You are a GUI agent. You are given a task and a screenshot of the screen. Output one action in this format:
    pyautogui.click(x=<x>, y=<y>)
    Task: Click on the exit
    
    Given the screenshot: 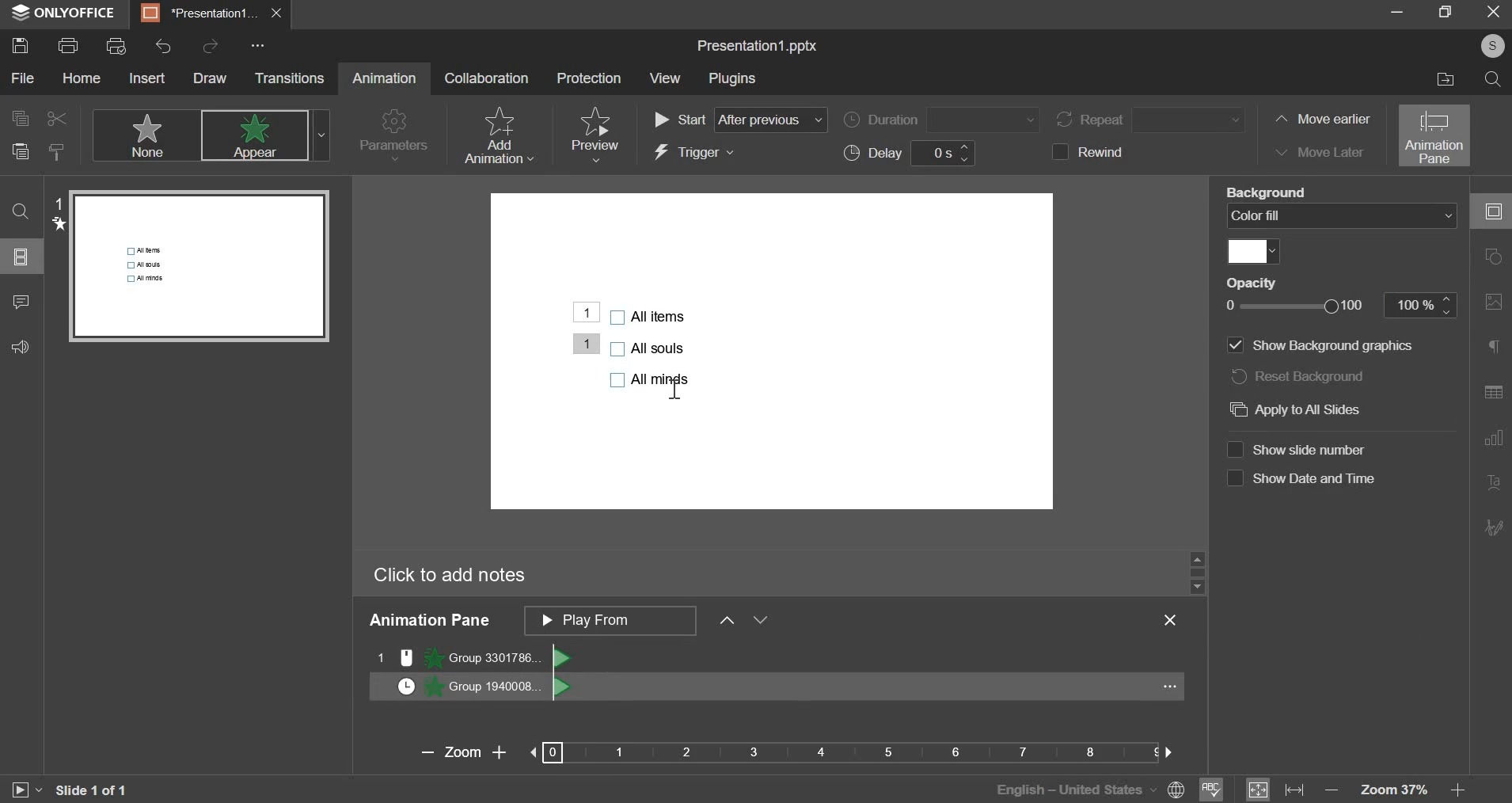 What is the action you would take?
    pyautogui.click(x=1487, y=15)
    